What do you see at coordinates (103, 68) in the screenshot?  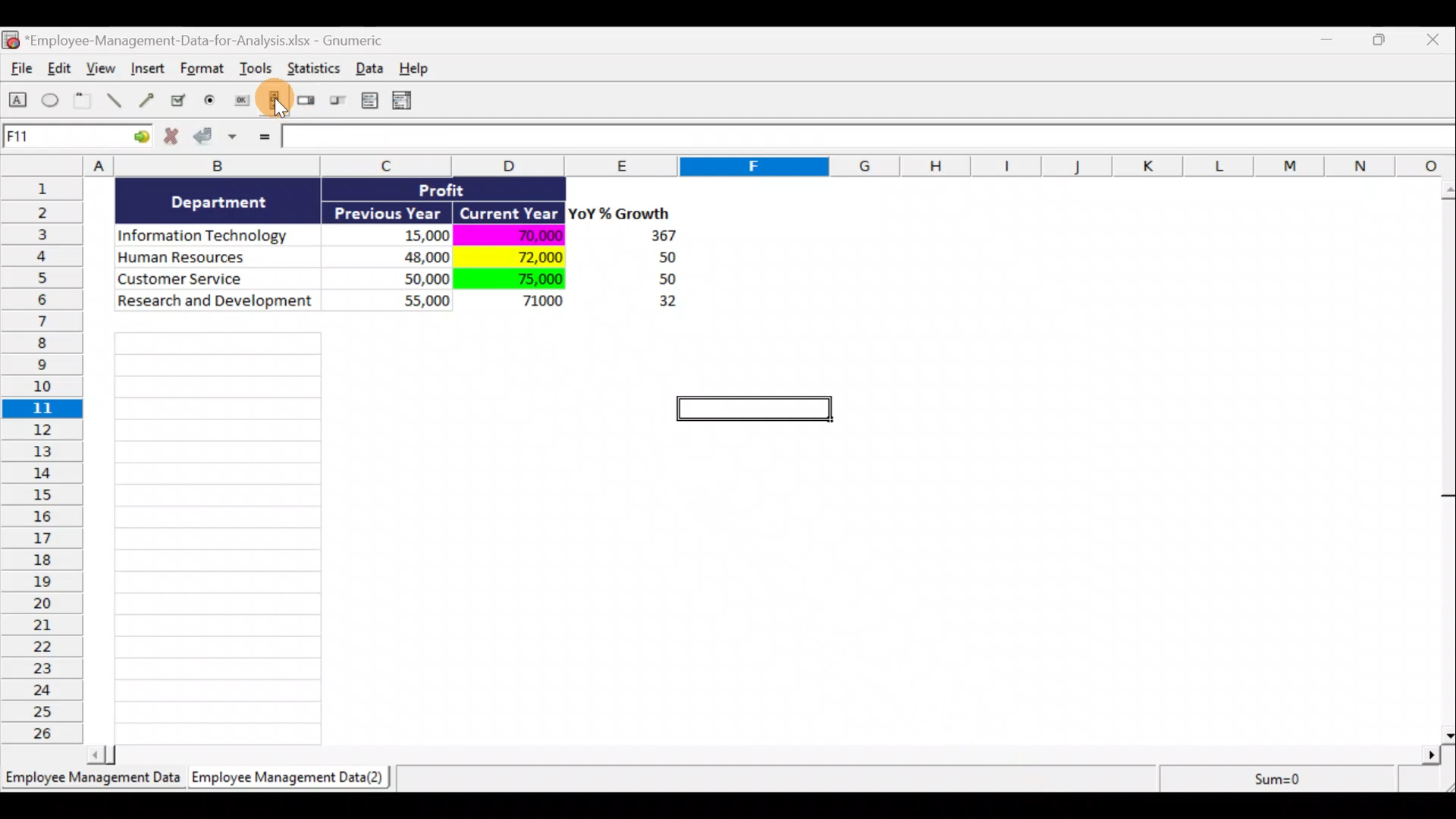 I see `View` at bounding box center [103, 68].